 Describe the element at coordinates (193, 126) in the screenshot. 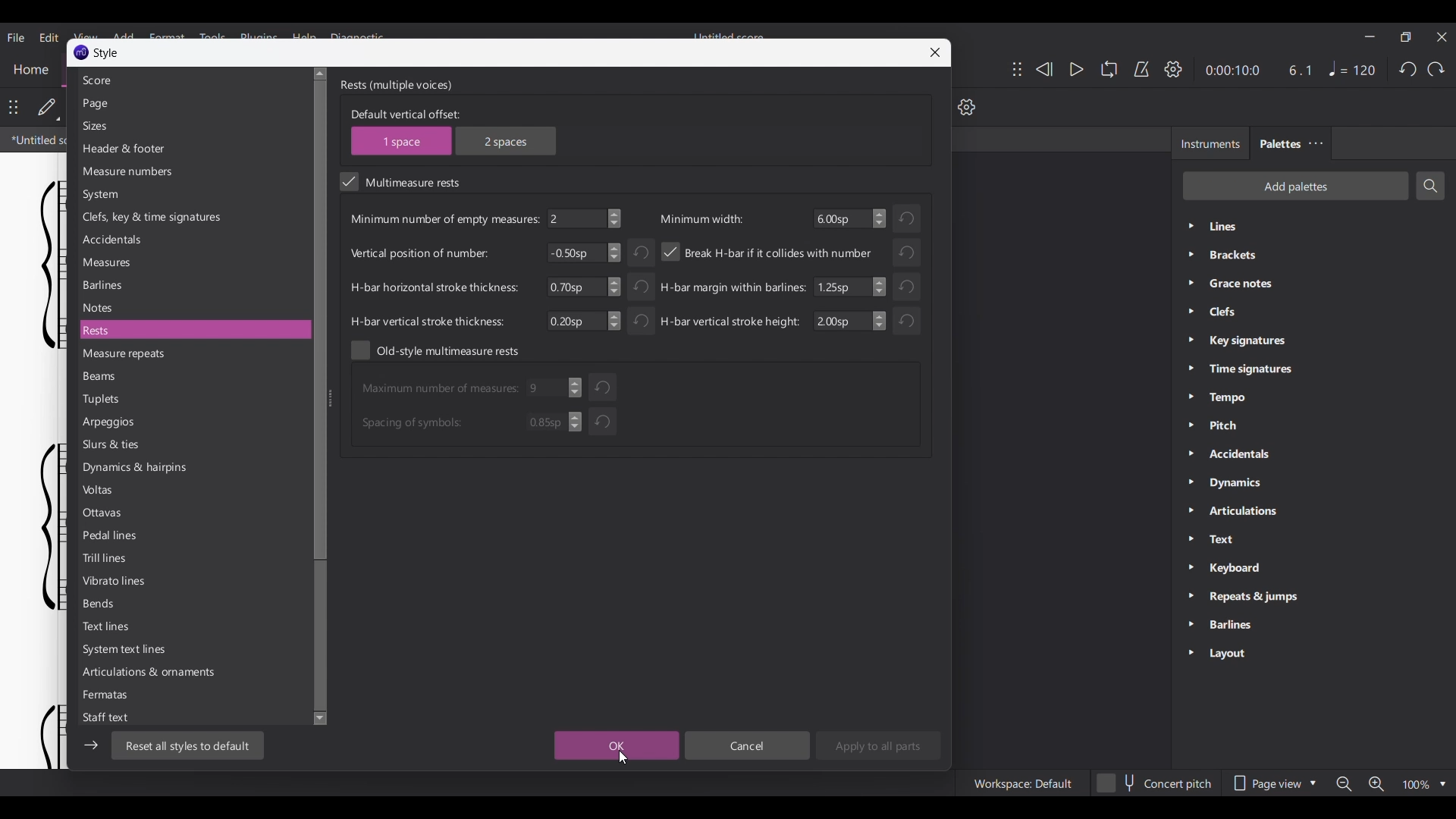

I see `Sizes` at that location.